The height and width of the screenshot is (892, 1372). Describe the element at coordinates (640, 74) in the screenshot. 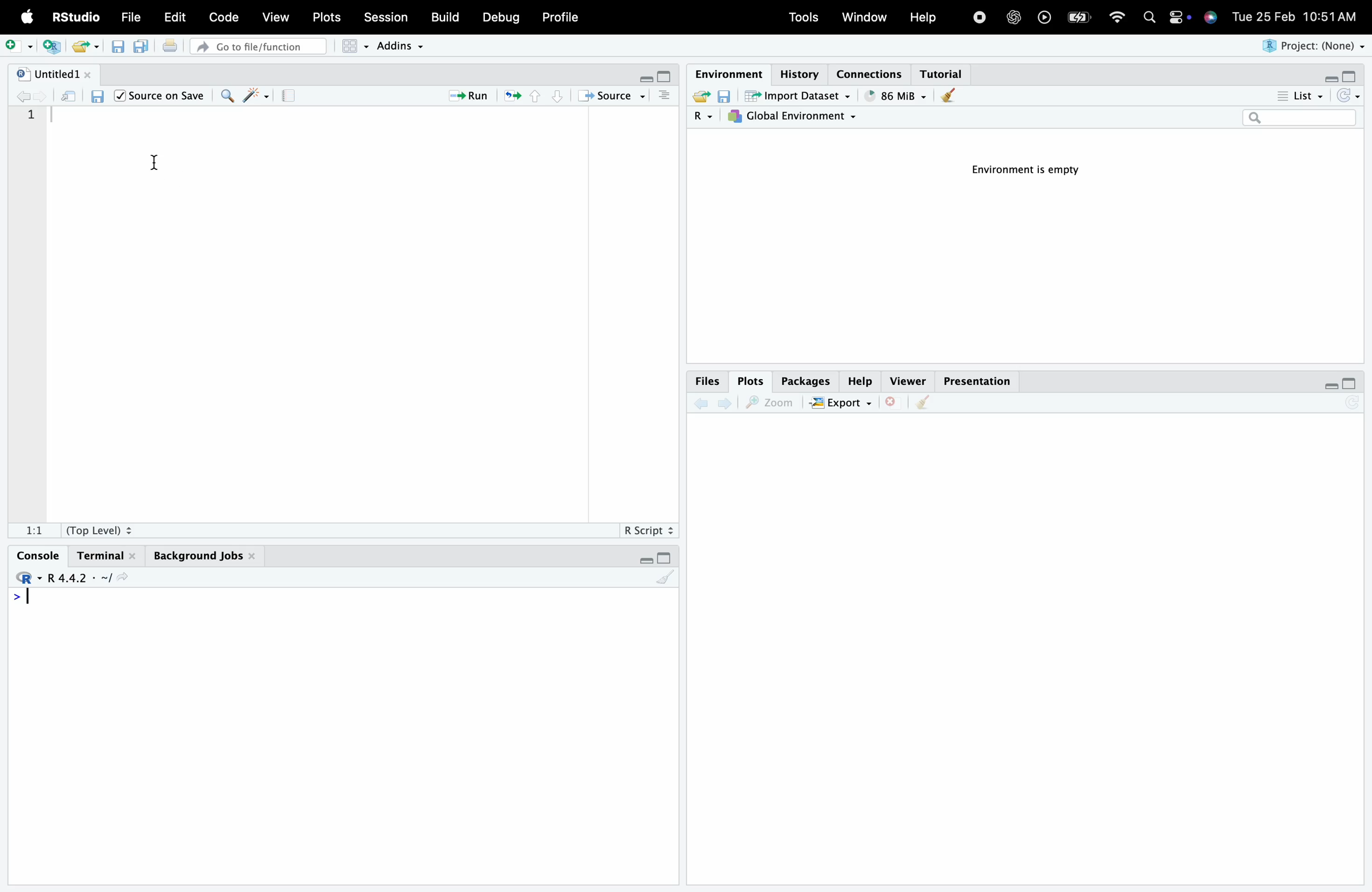

I see `minimise` at that location.